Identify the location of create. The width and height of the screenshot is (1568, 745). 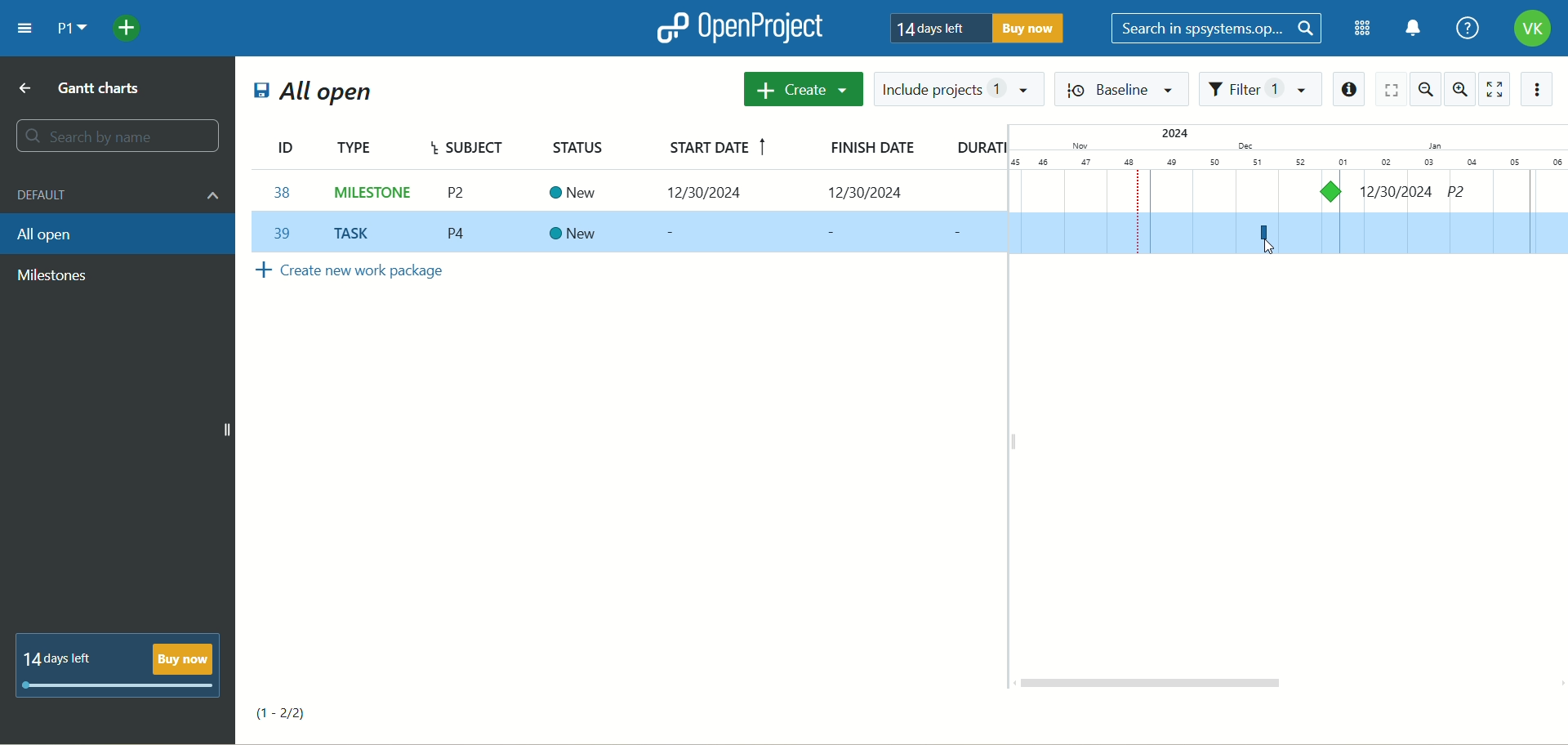
(802, 89).